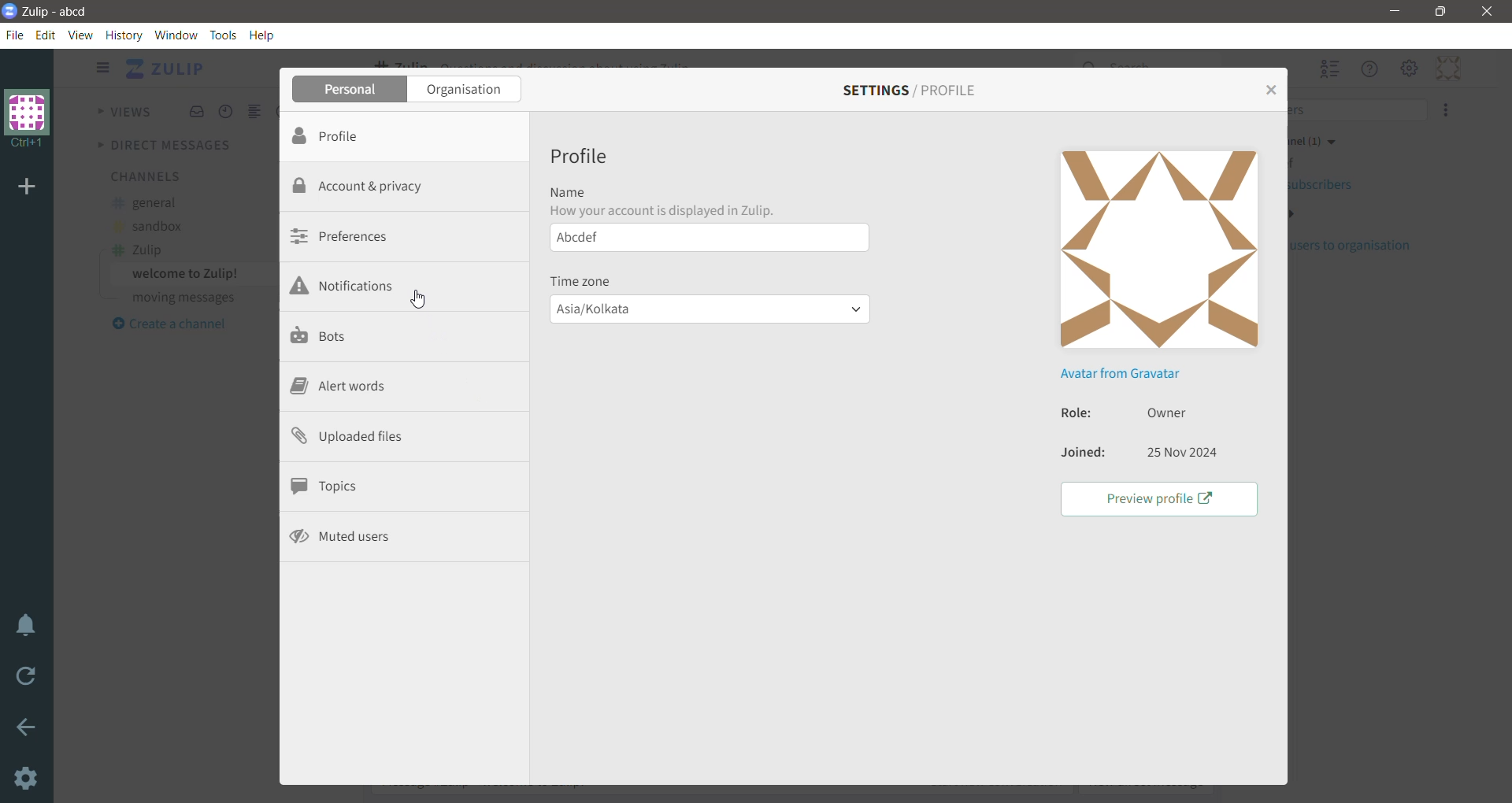 Image resolution: width=1512 pixels, height=803 pixels. Describe the element at coordinates (1117, 373) in the screenshot. I see `Click to set new avatar from Gravatar` at that location.